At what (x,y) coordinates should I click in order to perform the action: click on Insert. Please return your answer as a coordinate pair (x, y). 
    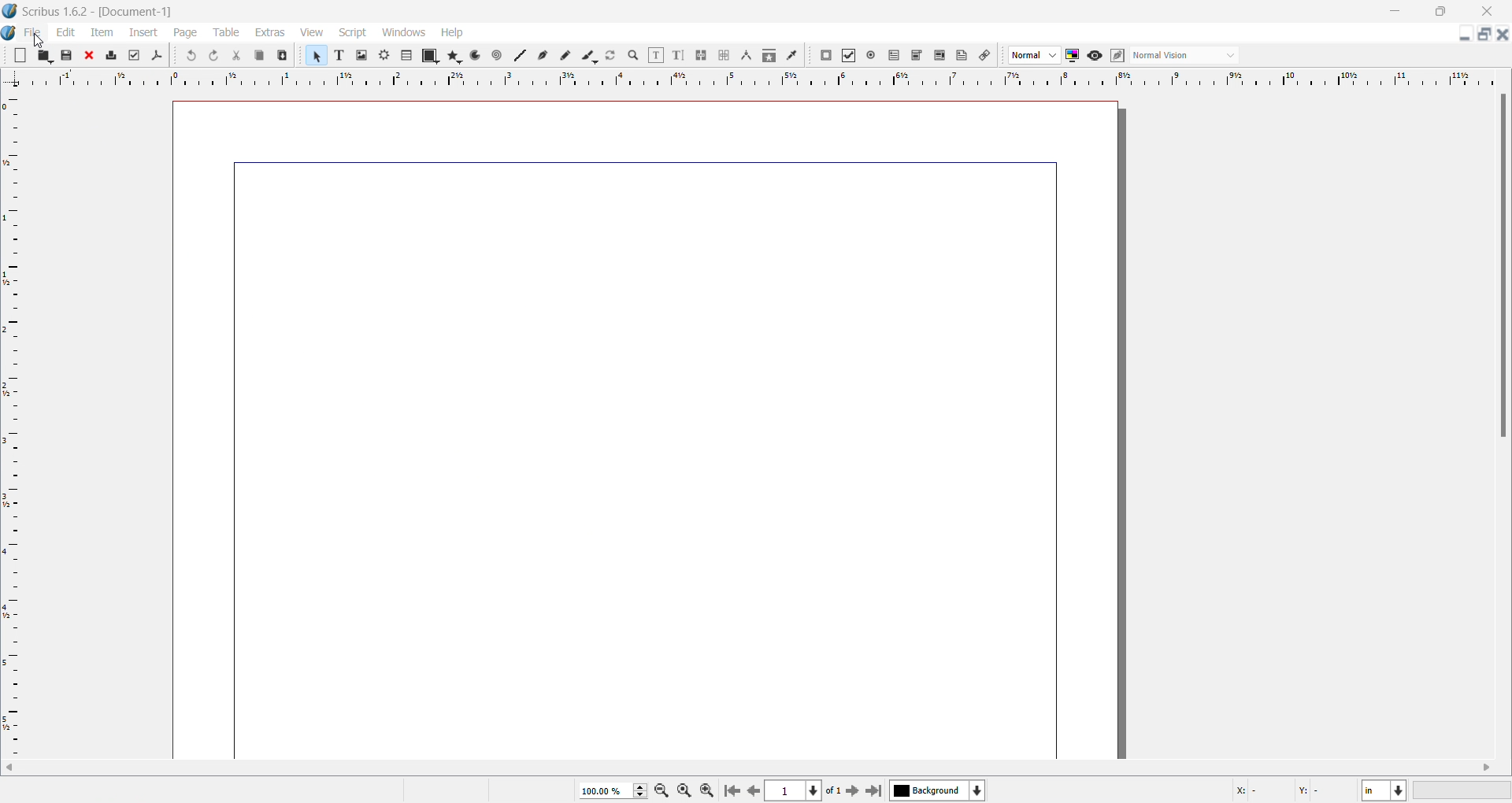
    Looking at the image, I should click on (143, 35).